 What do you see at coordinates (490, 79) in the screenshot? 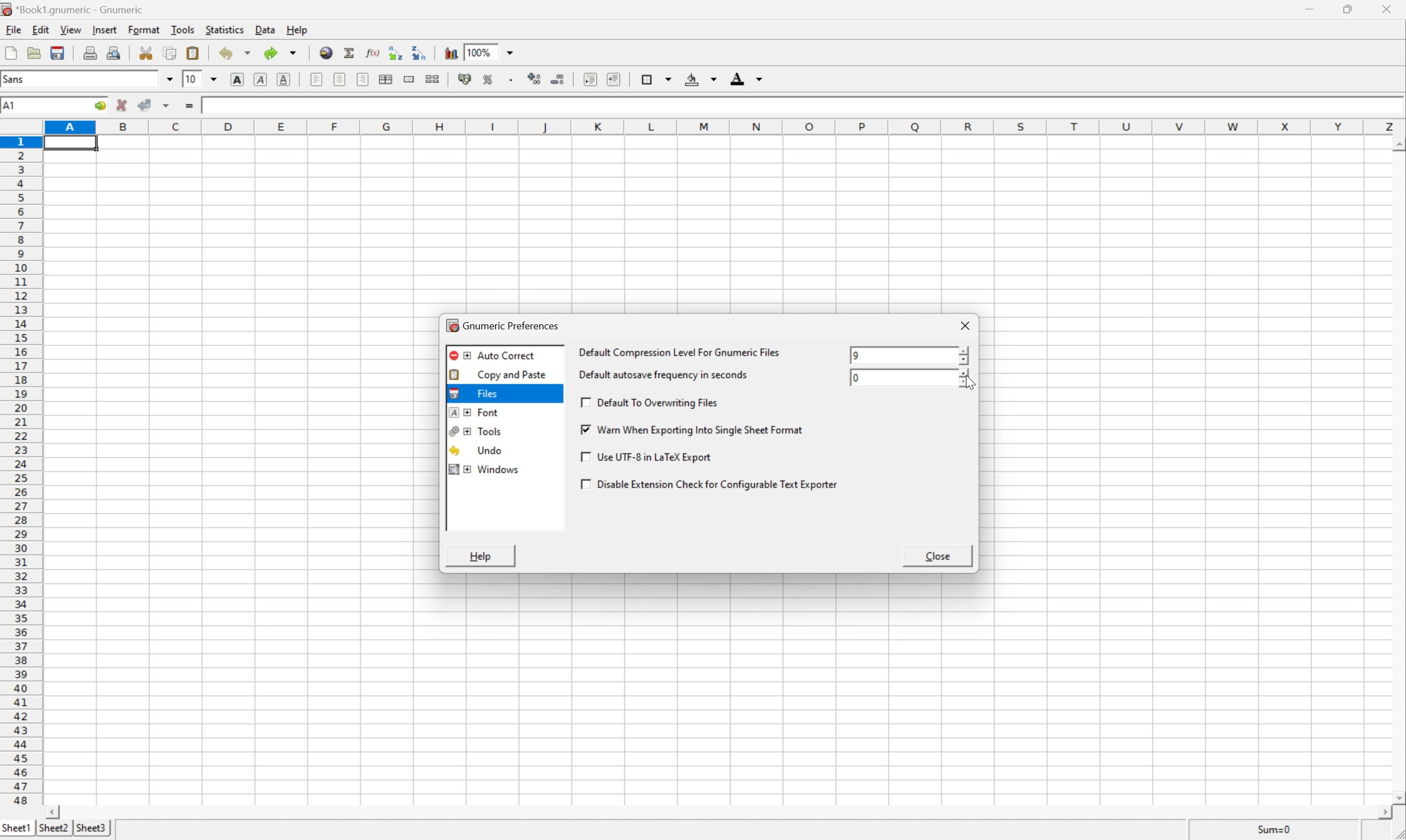
I see `format selection as percentage` at bounding box center [490, 79].